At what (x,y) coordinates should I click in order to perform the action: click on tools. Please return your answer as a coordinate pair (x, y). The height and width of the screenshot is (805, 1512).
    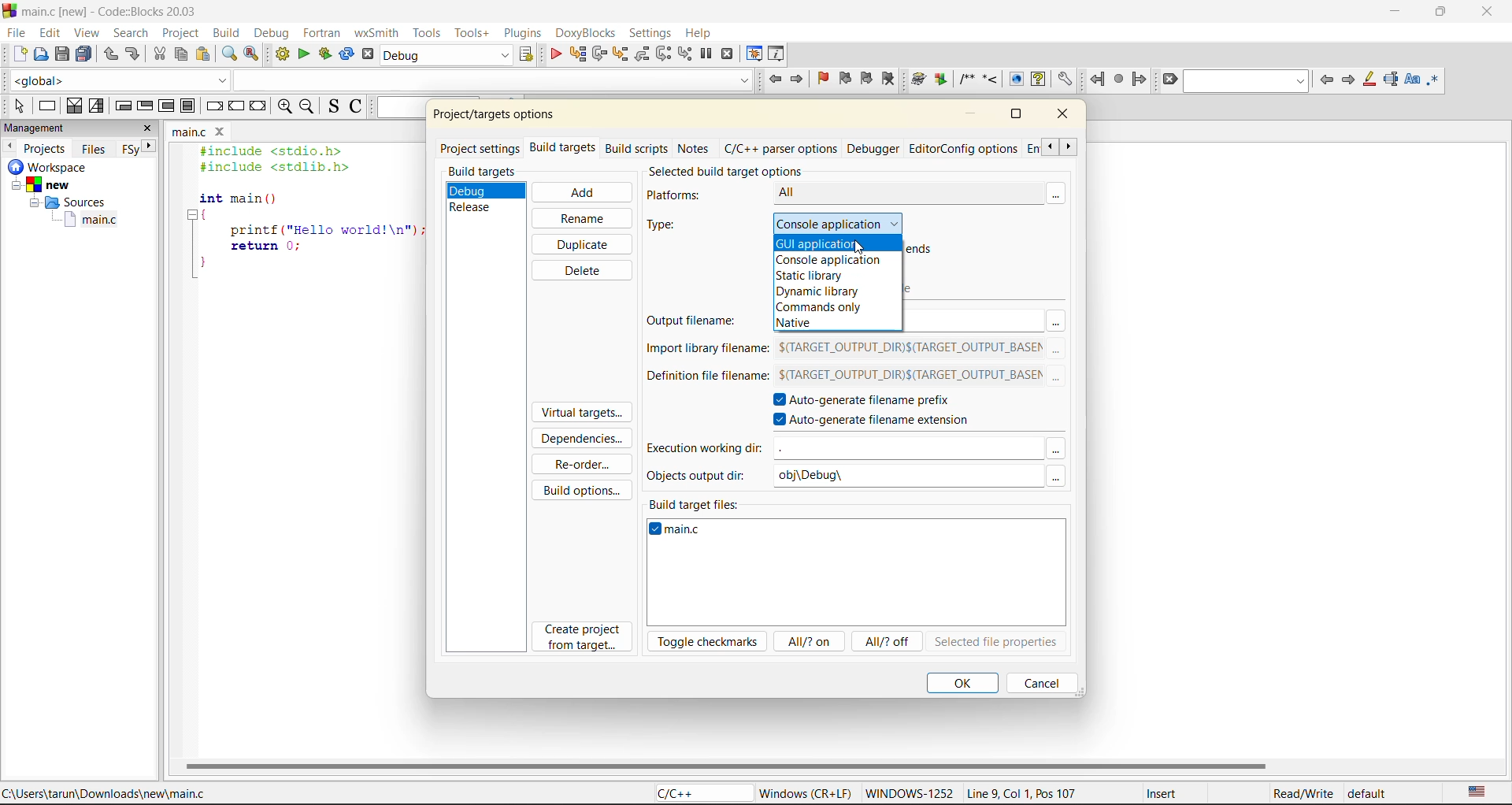
    Looking at the image, I should click on (429, 33).